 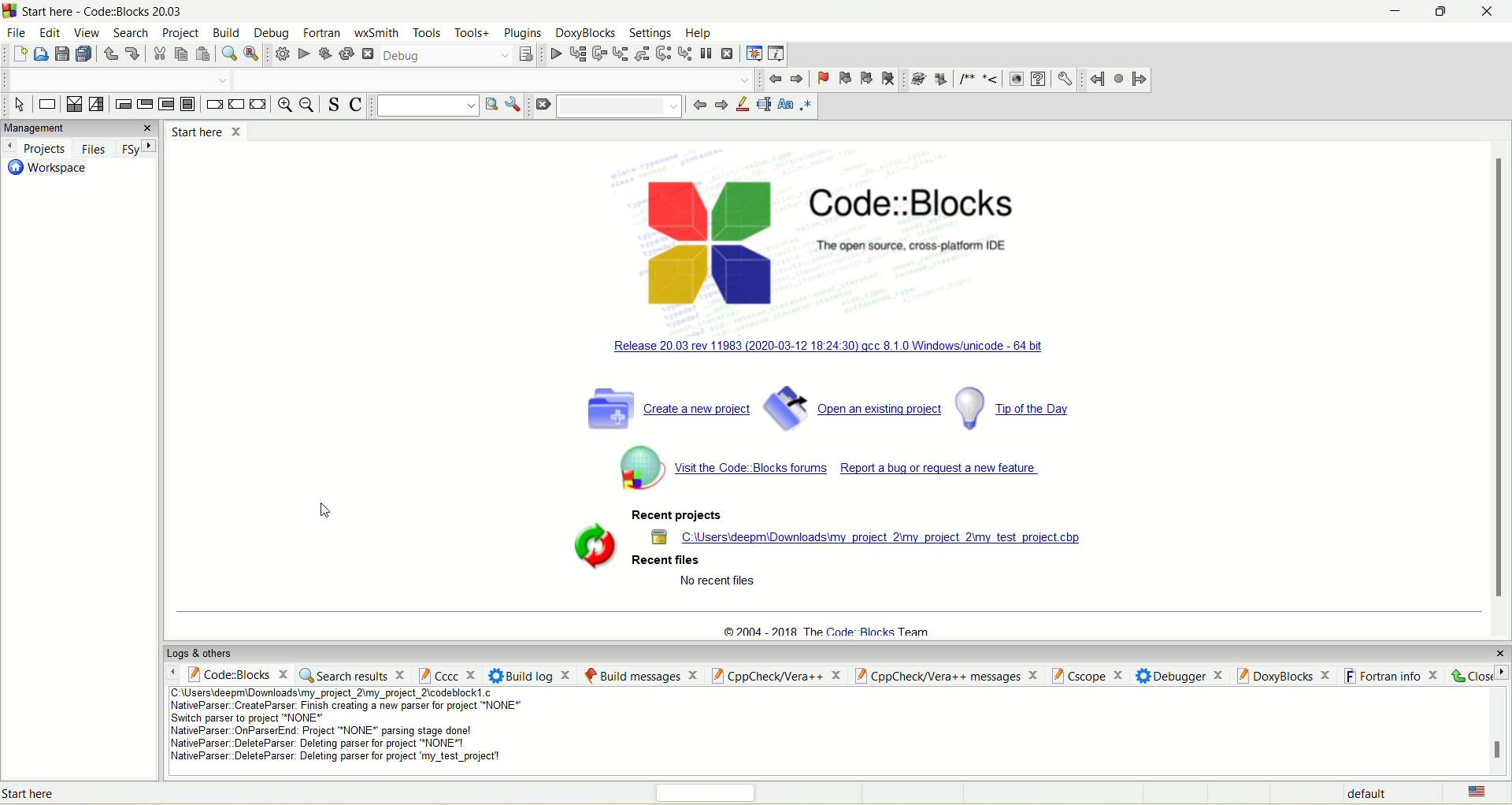 I want to click on open an existing project, so click(x=862, y=407).